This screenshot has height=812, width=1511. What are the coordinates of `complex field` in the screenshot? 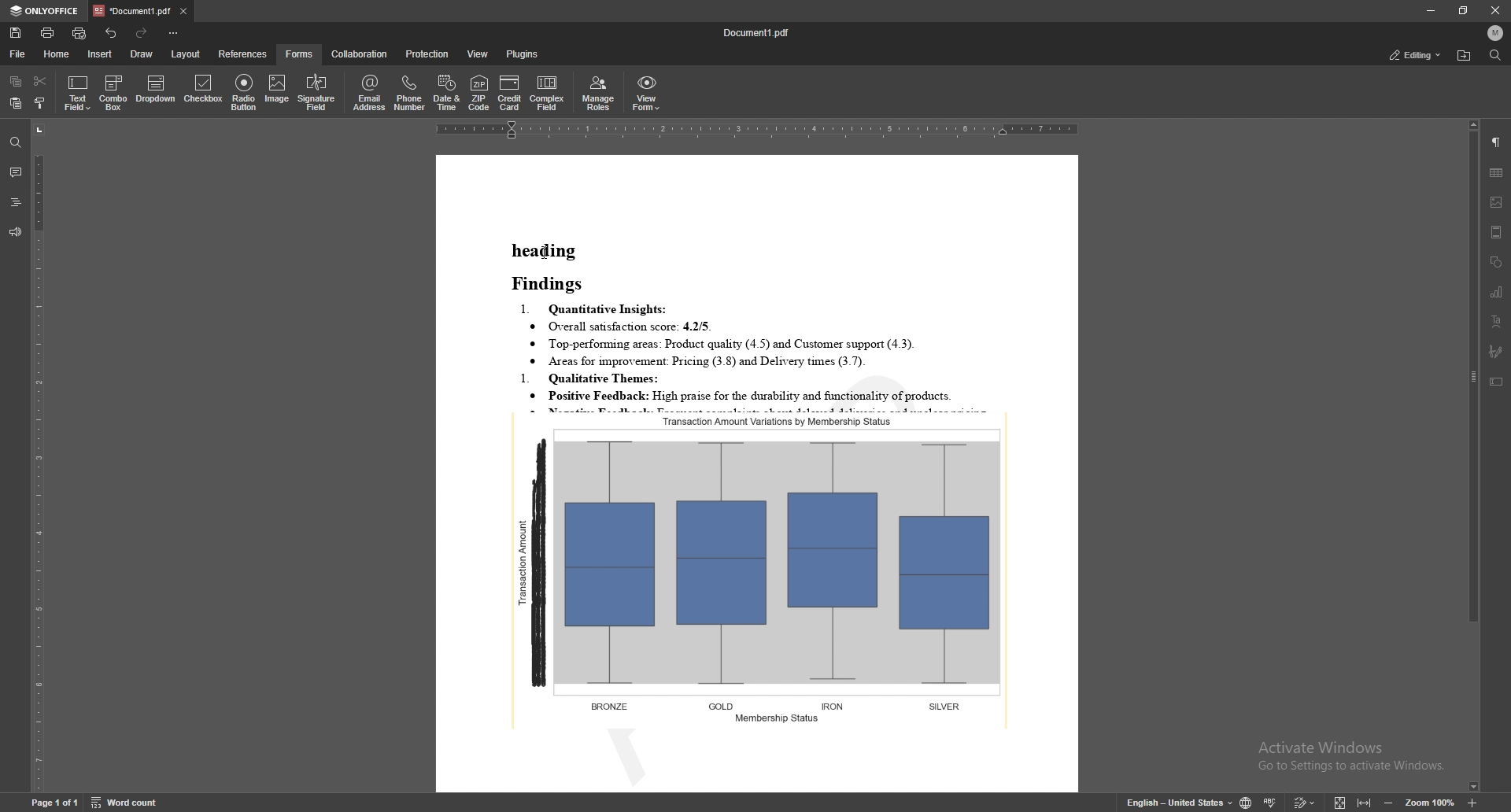 It's located at (549, 94).